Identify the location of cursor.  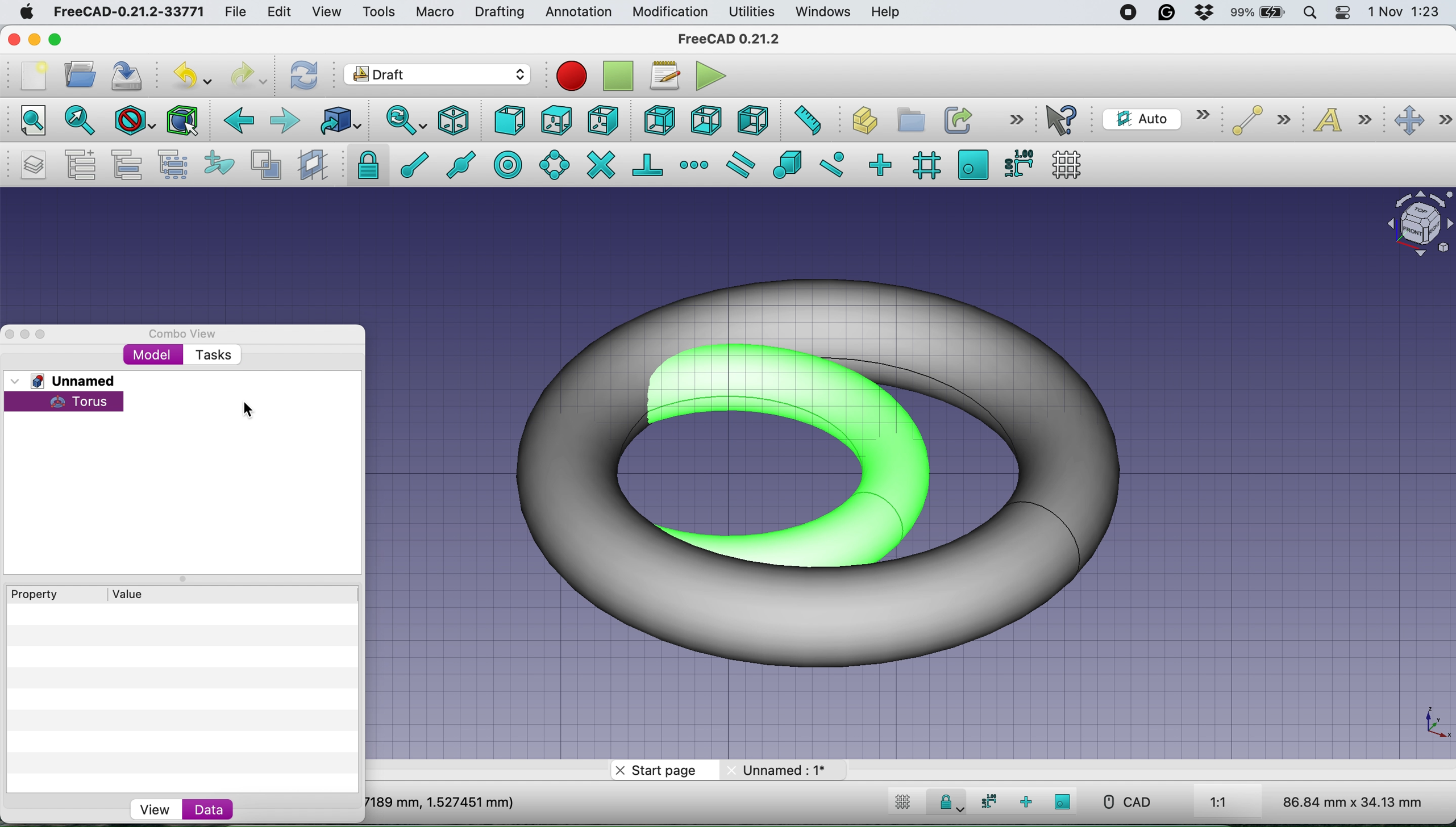
(246, 408).